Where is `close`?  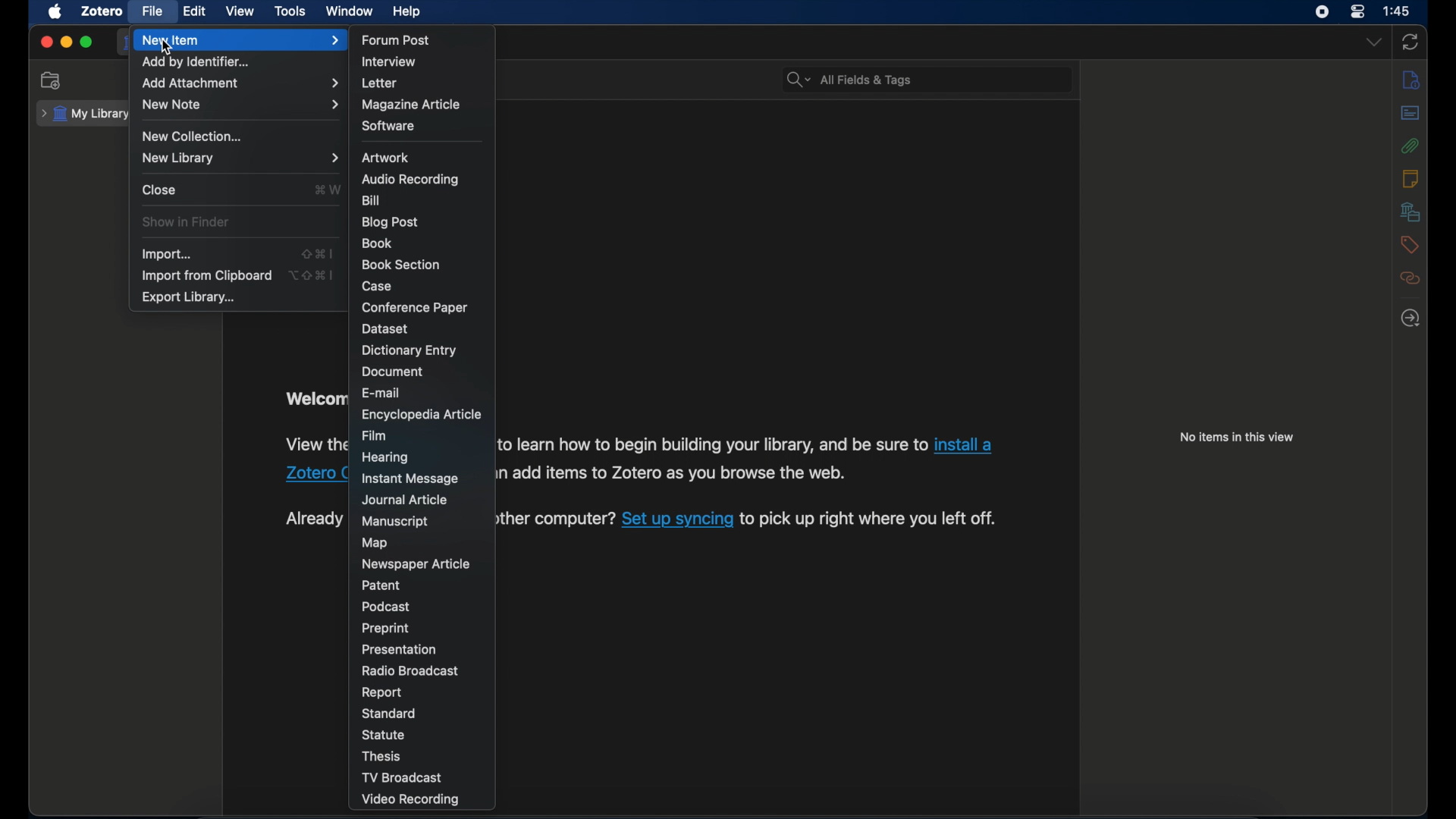
close is located at coordinates (158, 190).